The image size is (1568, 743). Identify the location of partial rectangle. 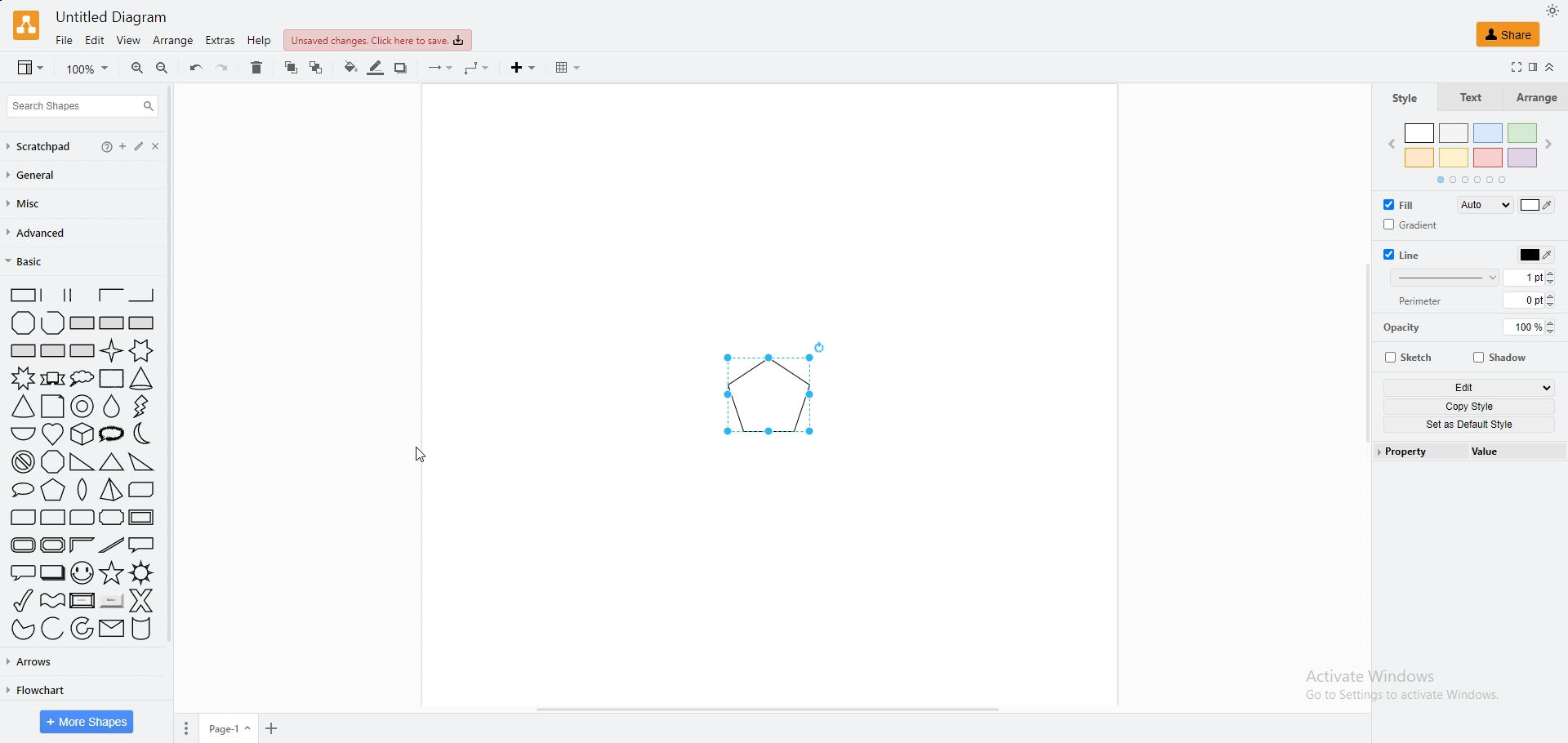
(51, 294).